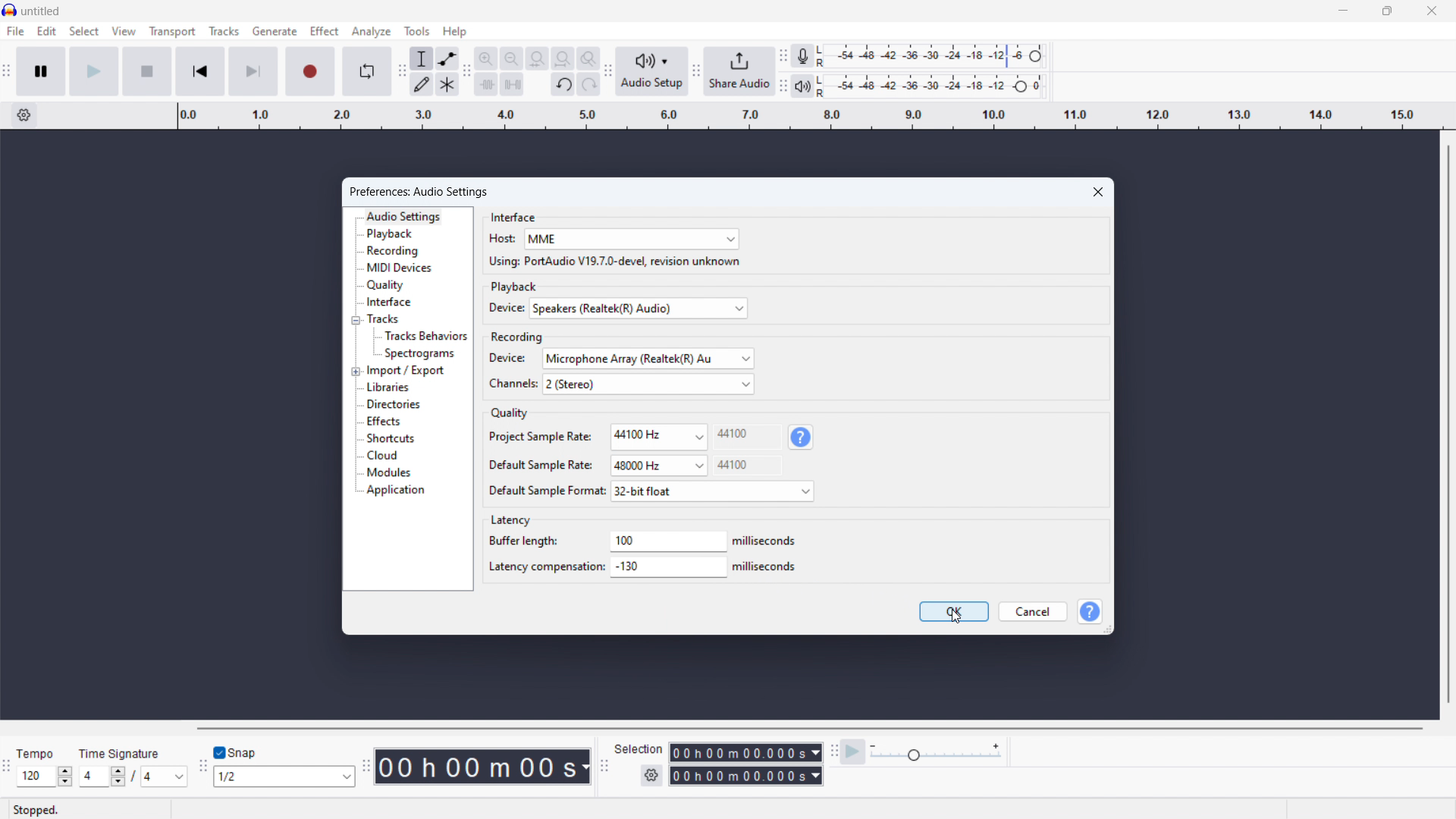 This screenshot has height=819, width=1456. Describe the element at coordinates (148, 71) in the screenshot. I see `stop` at that location.